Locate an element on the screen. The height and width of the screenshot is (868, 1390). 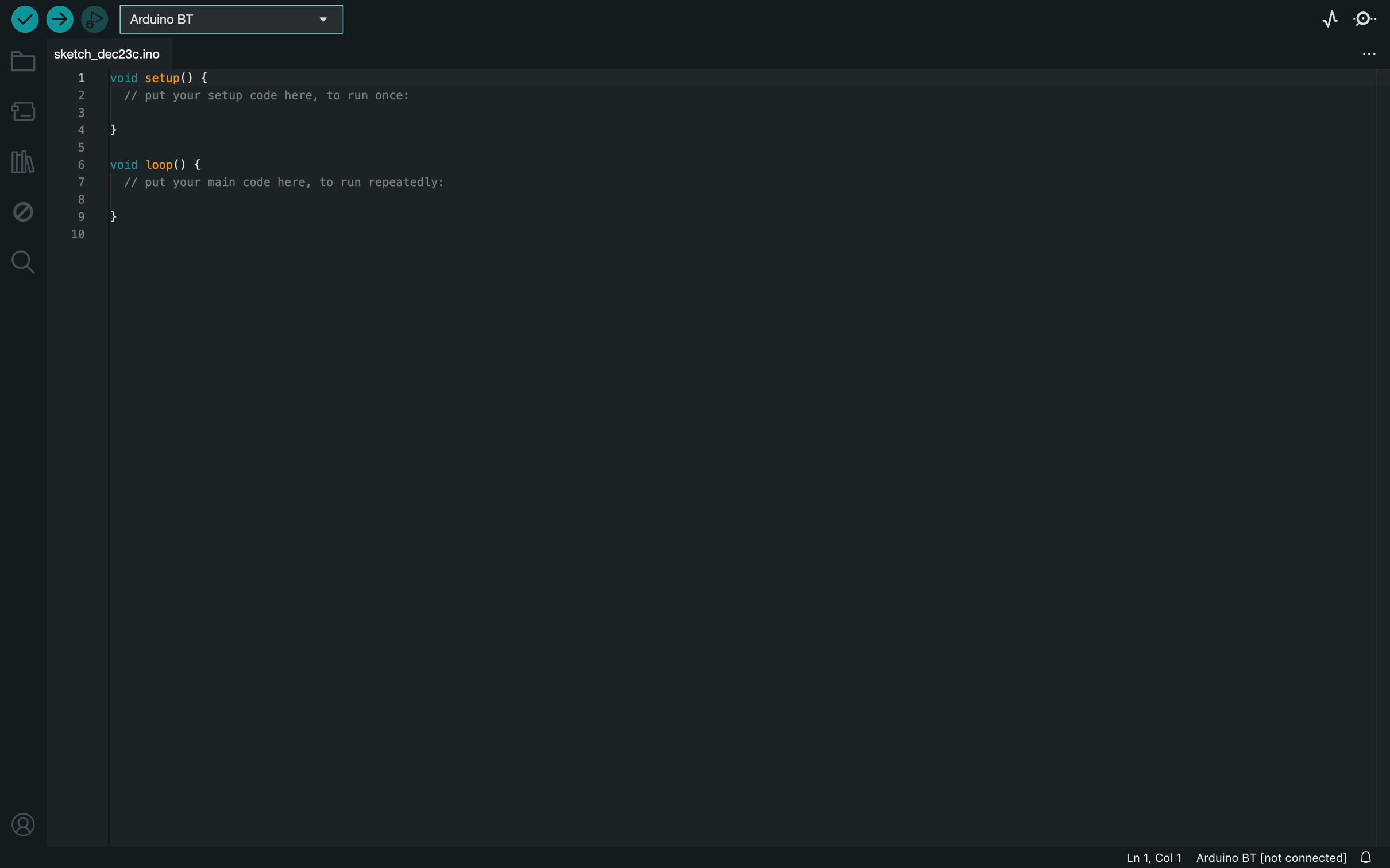
tab settings is located at coordinates (1365, 57).